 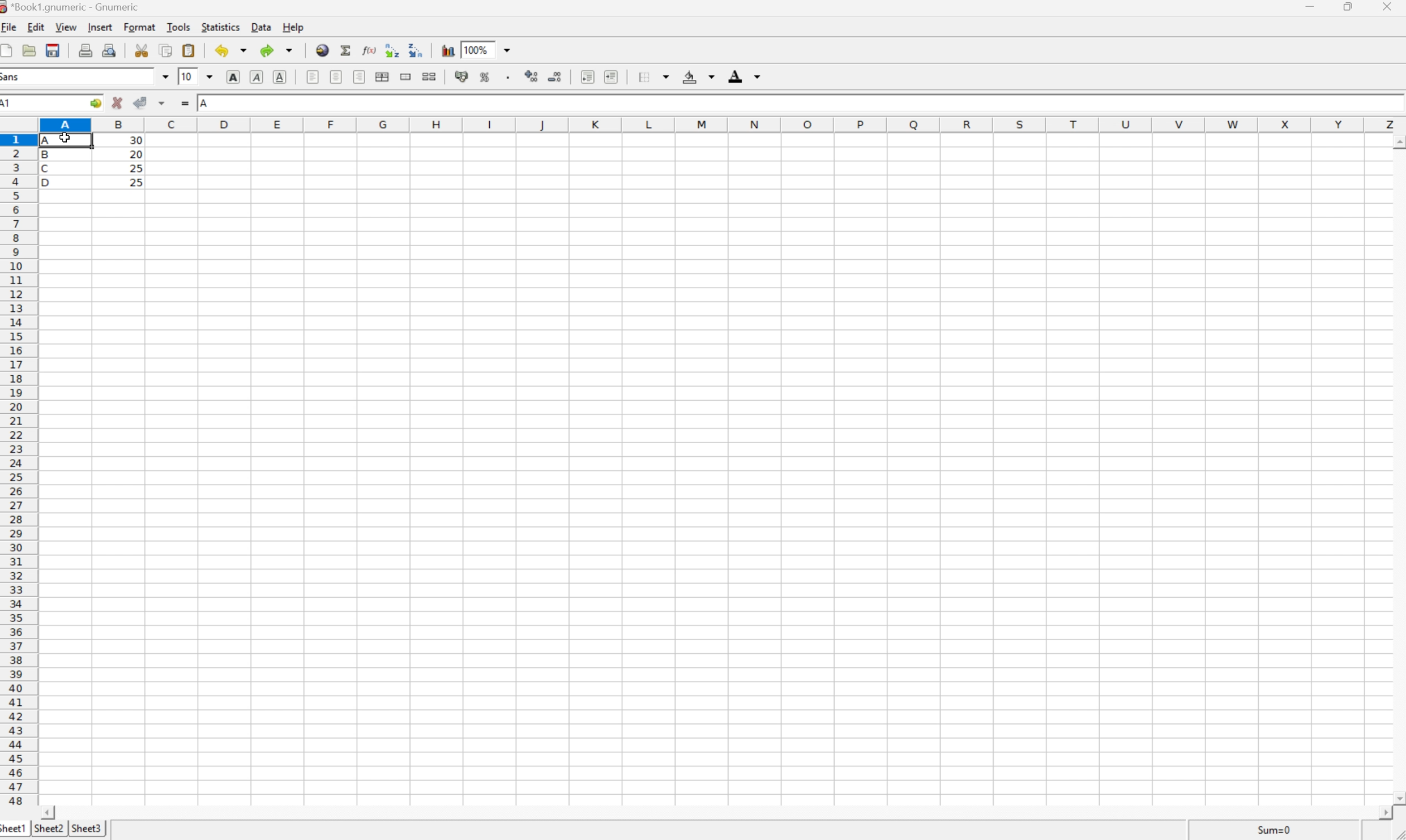 What do you see at coordinates (88, 827) in the screenshot?
I see `Sheet3` at bounding box center [88, 827].